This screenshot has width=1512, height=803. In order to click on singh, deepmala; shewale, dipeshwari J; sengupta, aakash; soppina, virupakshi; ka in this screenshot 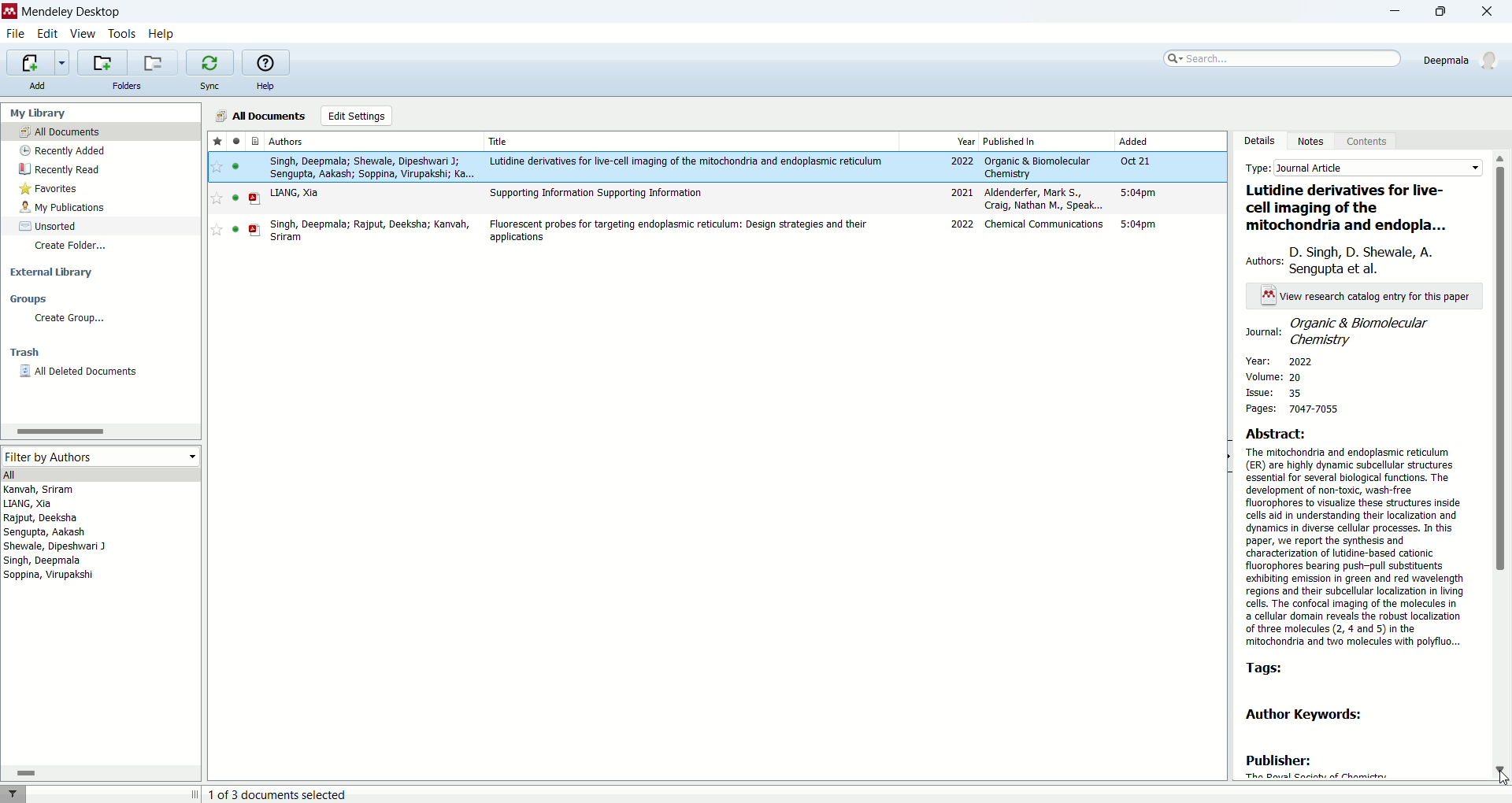, I will do `click(372, 168)`.